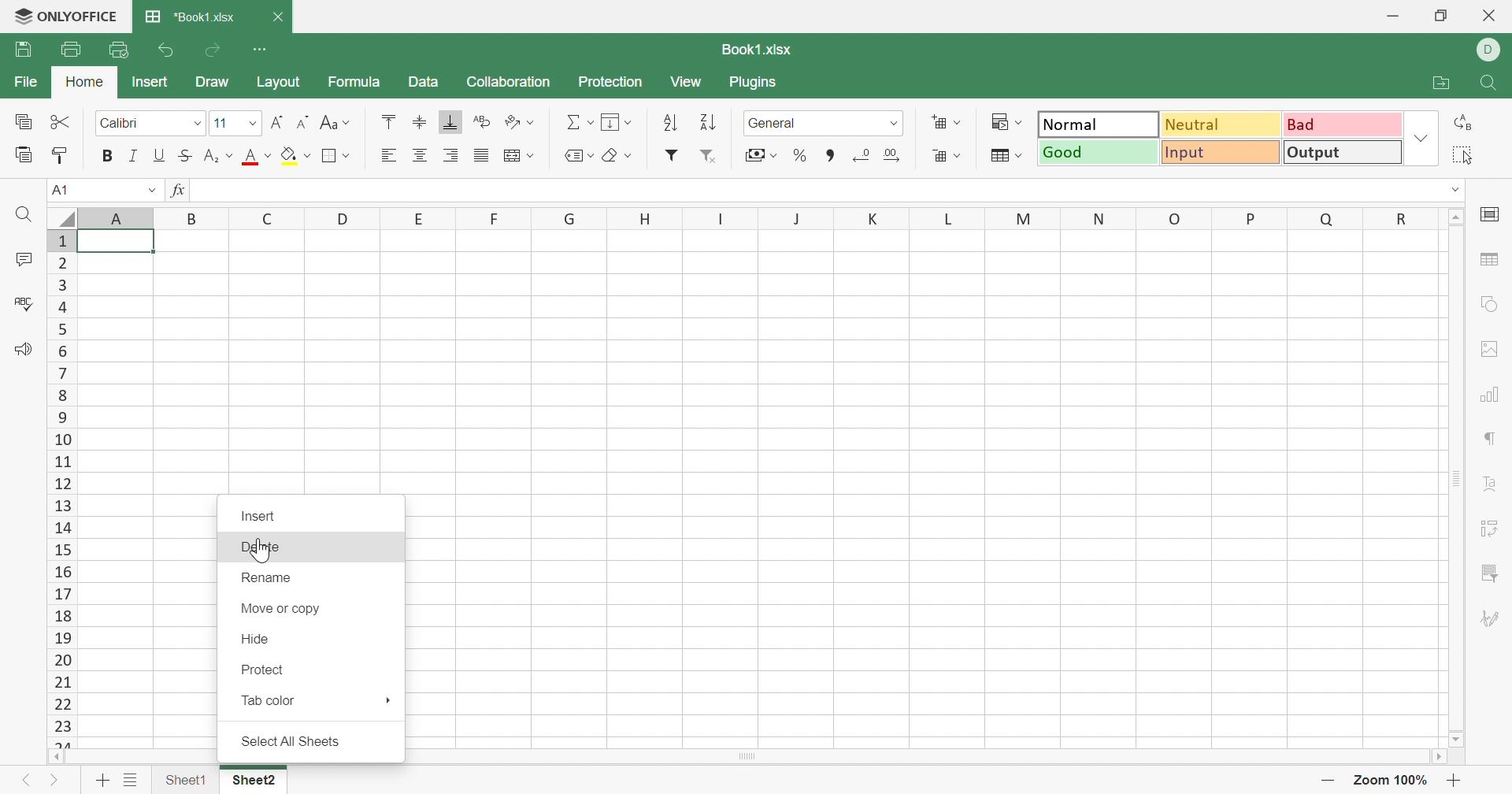 This screenshot has height=794, width=1512. What do you see at coordinates (1331, 781) in the screenshot?
I see `-` at bounding box center [1331, 781].